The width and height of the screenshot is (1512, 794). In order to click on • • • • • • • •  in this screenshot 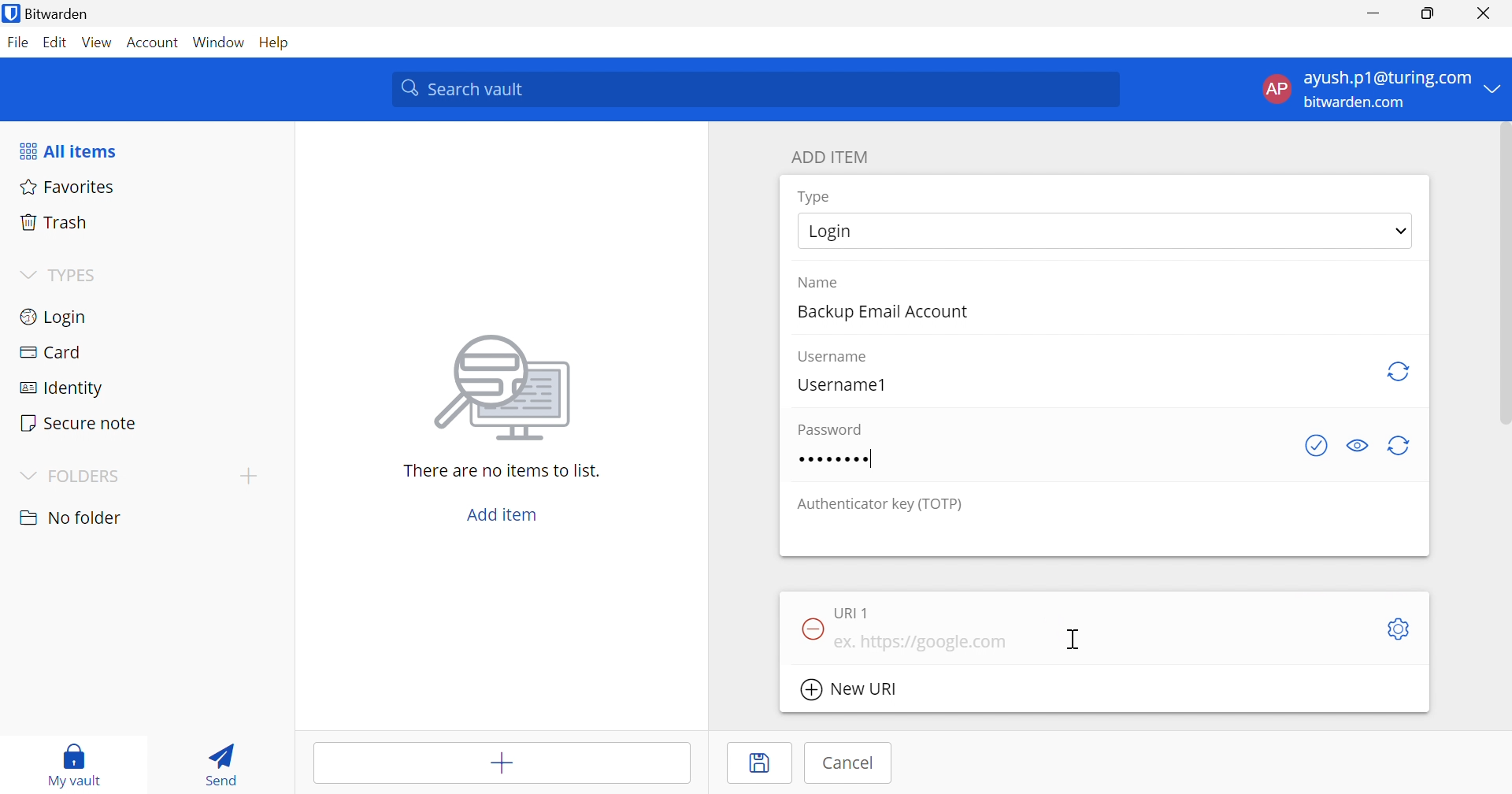, I will do `click(832, 459)`.